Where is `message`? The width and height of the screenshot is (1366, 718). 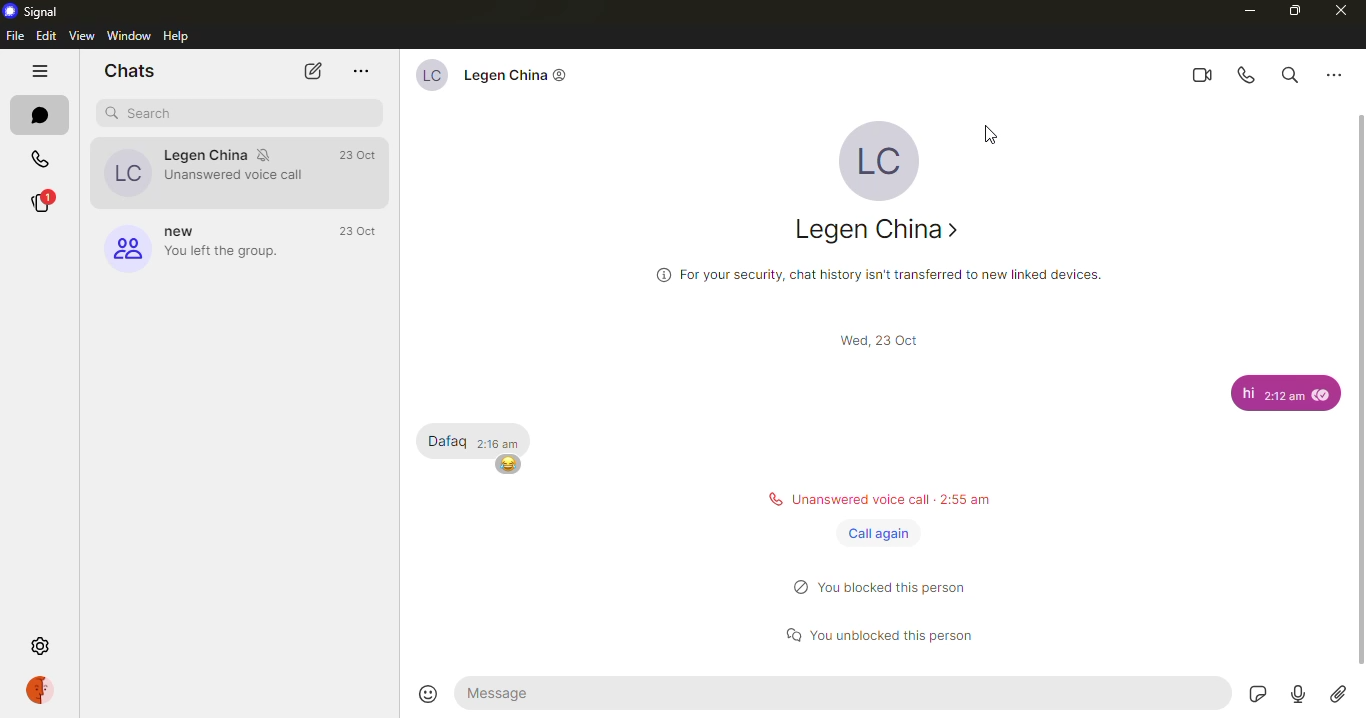 message is located at coordinates (447, 440).